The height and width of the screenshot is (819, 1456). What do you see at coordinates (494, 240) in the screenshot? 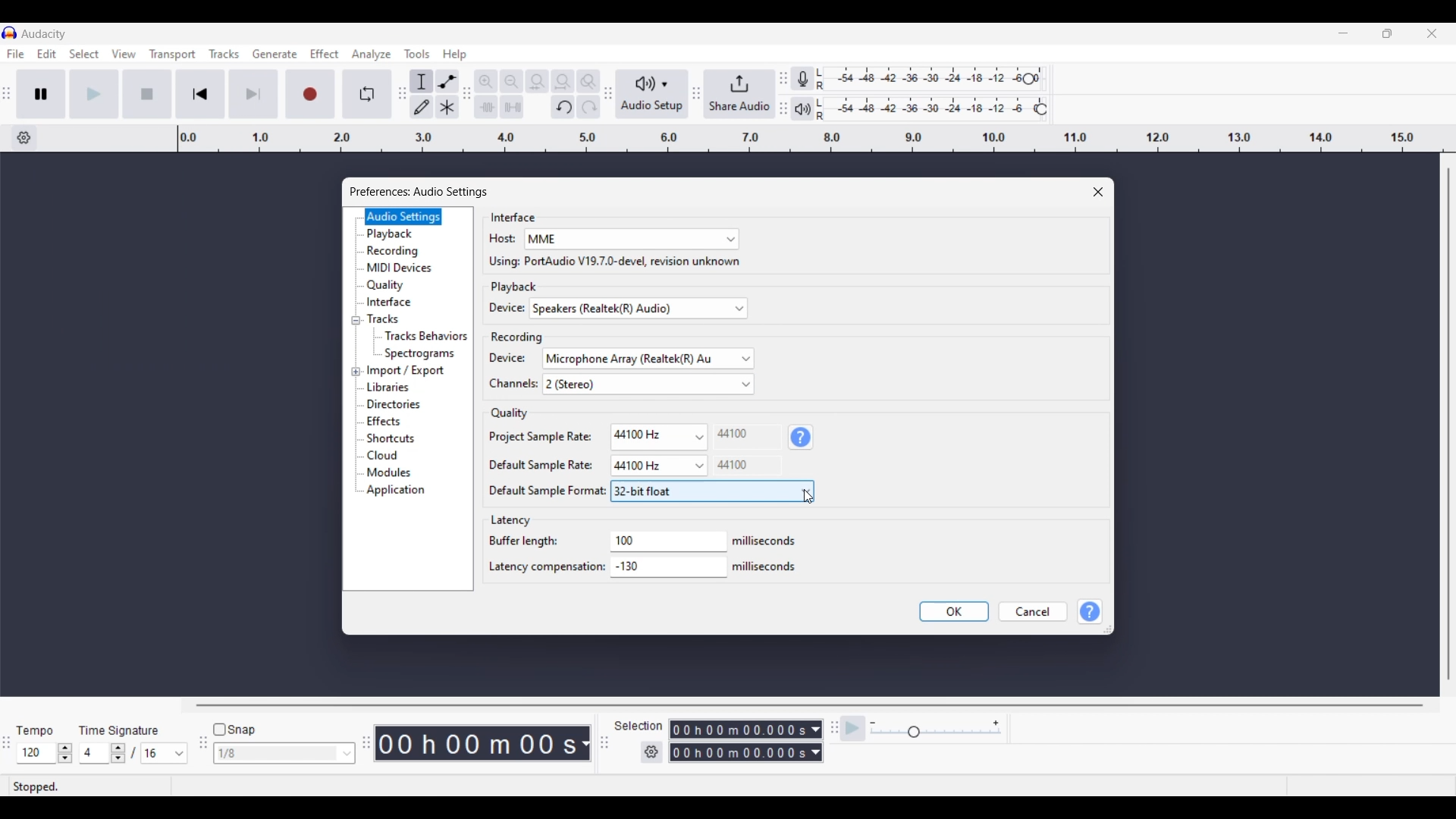
I see `| Host:` at bounding box center [494, 240].